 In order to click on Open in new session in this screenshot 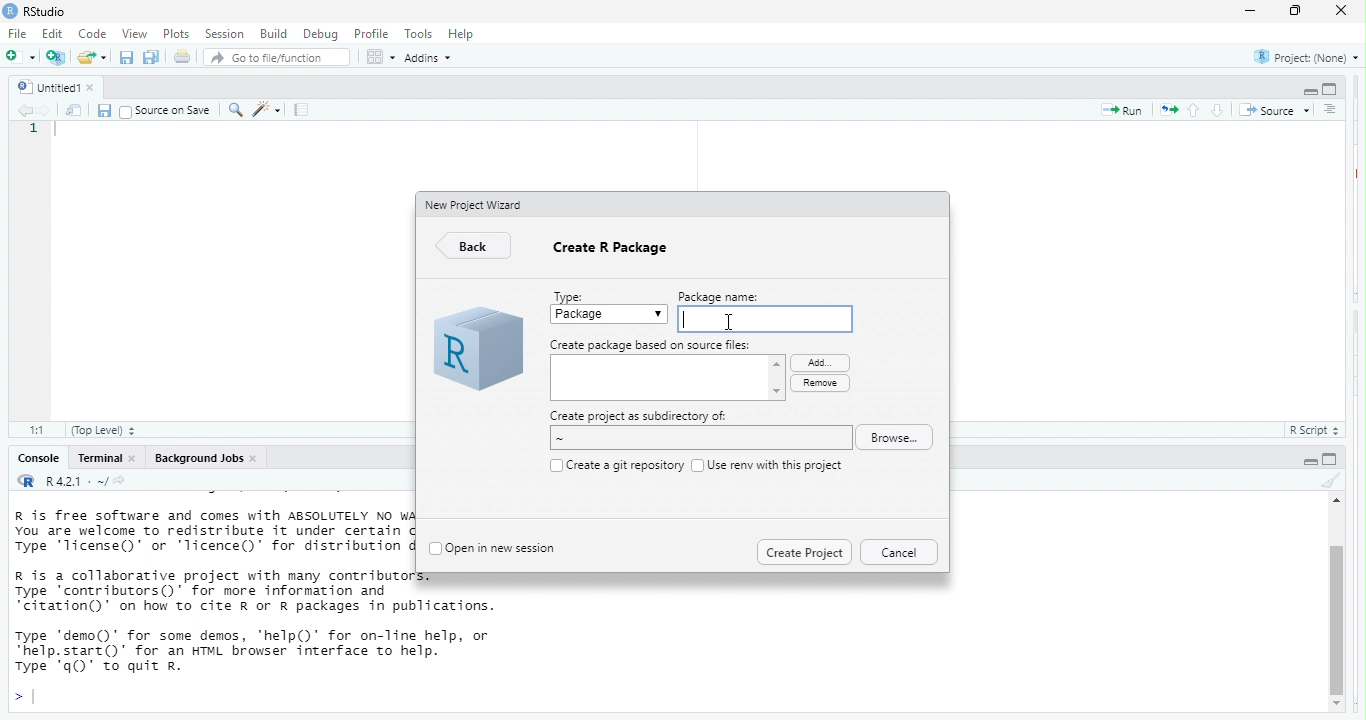, I will do `click(505, 546)`.